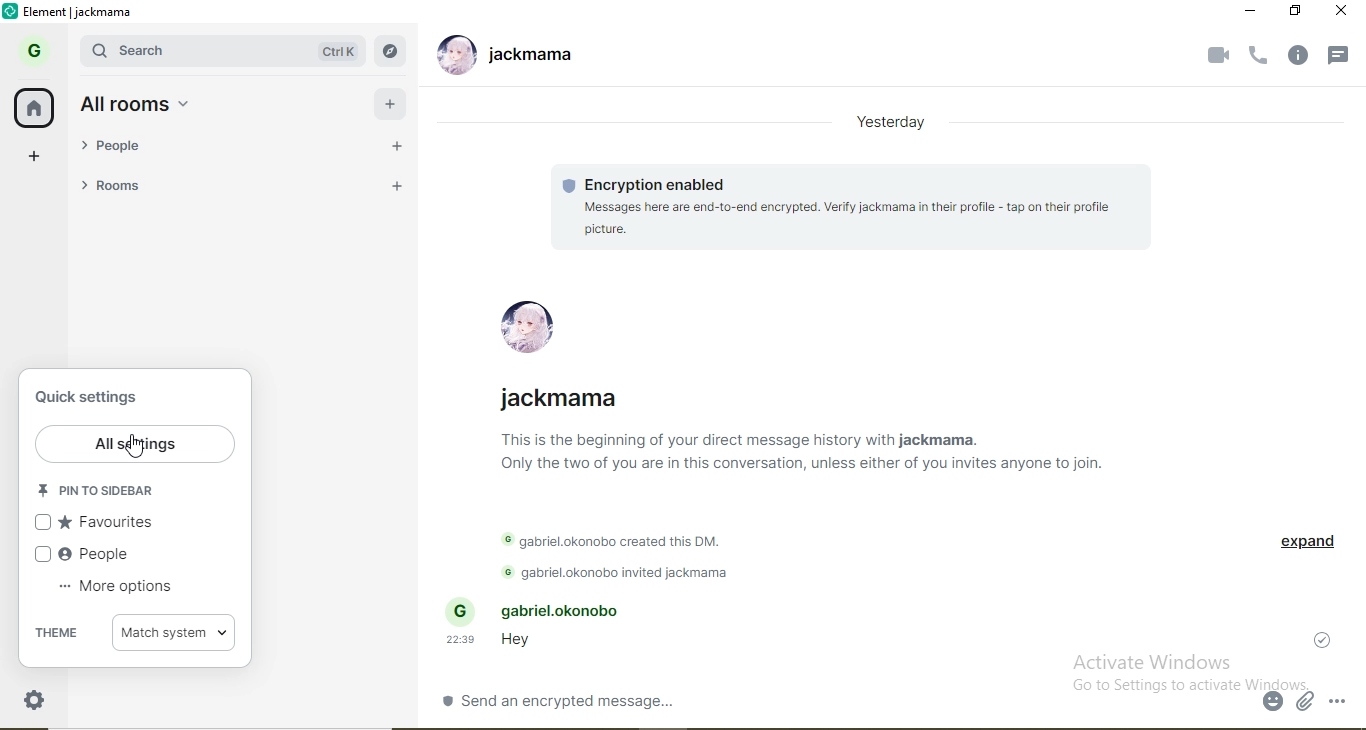 The height and width of the screenshot is (730, 1366). What do you see at coordinates (389, 106) in the screenshot?
I see `all rooms` at bounding box center [389, 106].